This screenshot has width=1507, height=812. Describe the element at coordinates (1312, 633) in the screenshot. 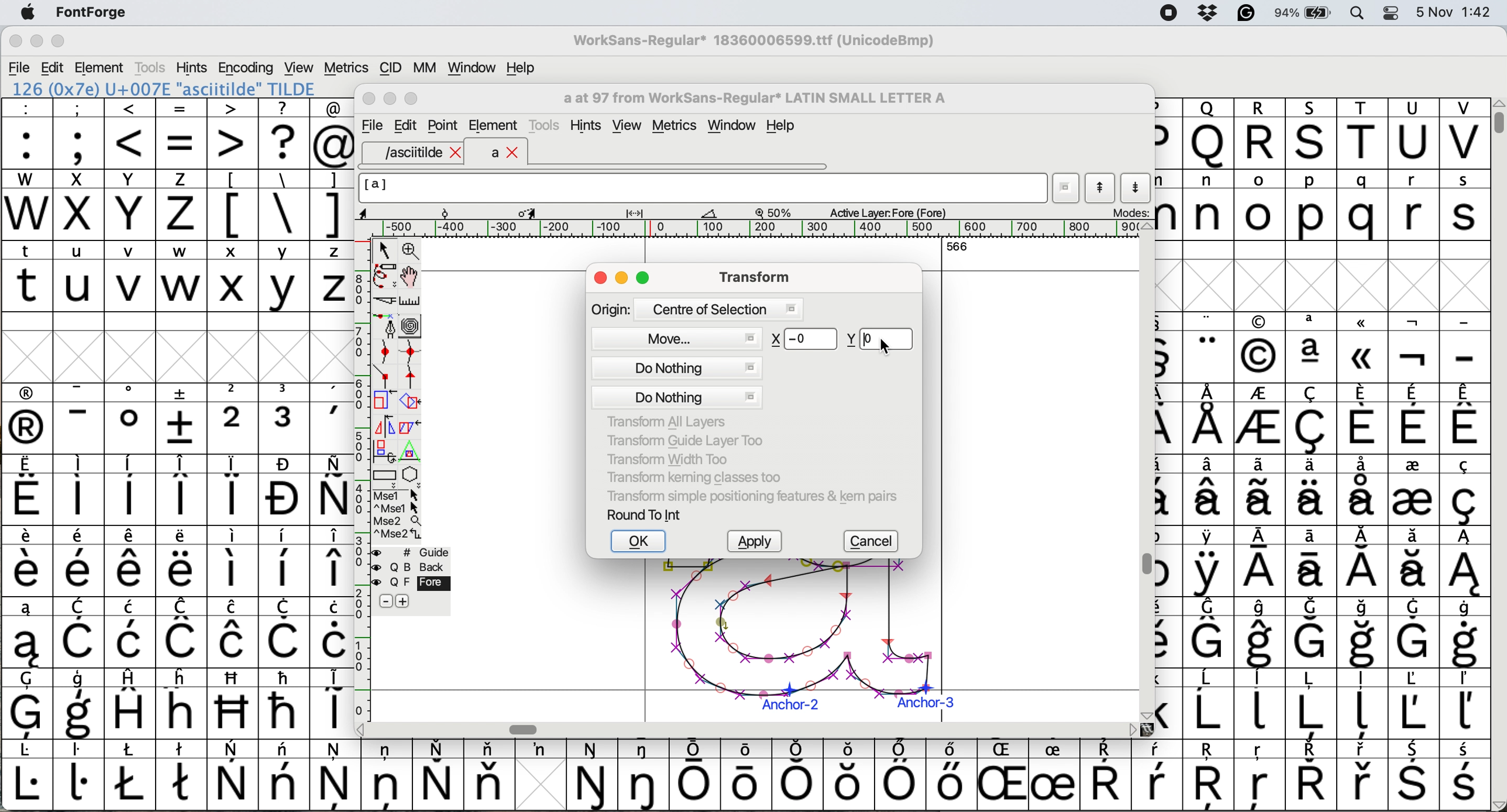

I see `symbol` at that location.